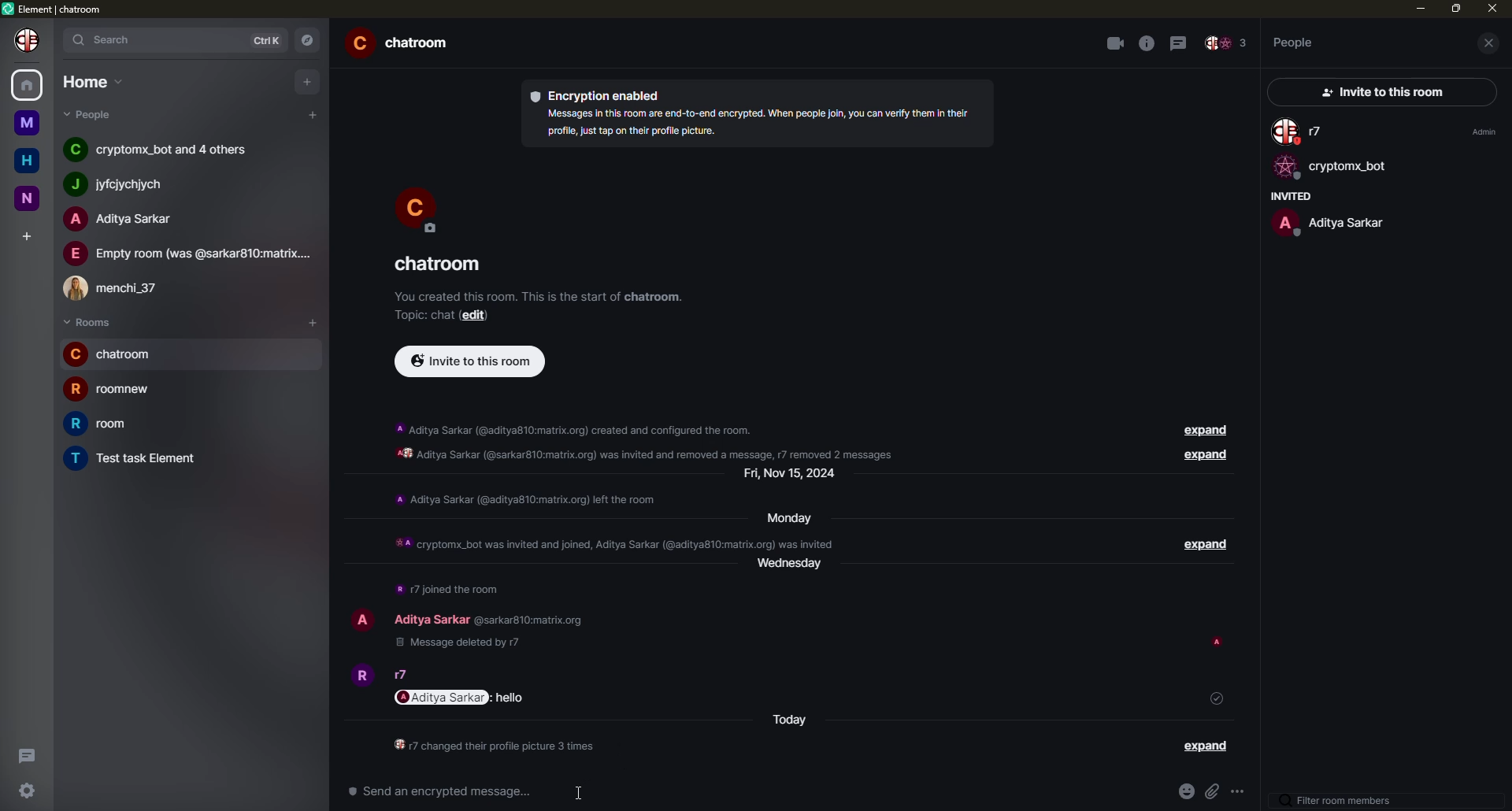  What do you see at coordinates (1418, 8) in the screenshot?
I see `min` at bounding box center [1418, 8].